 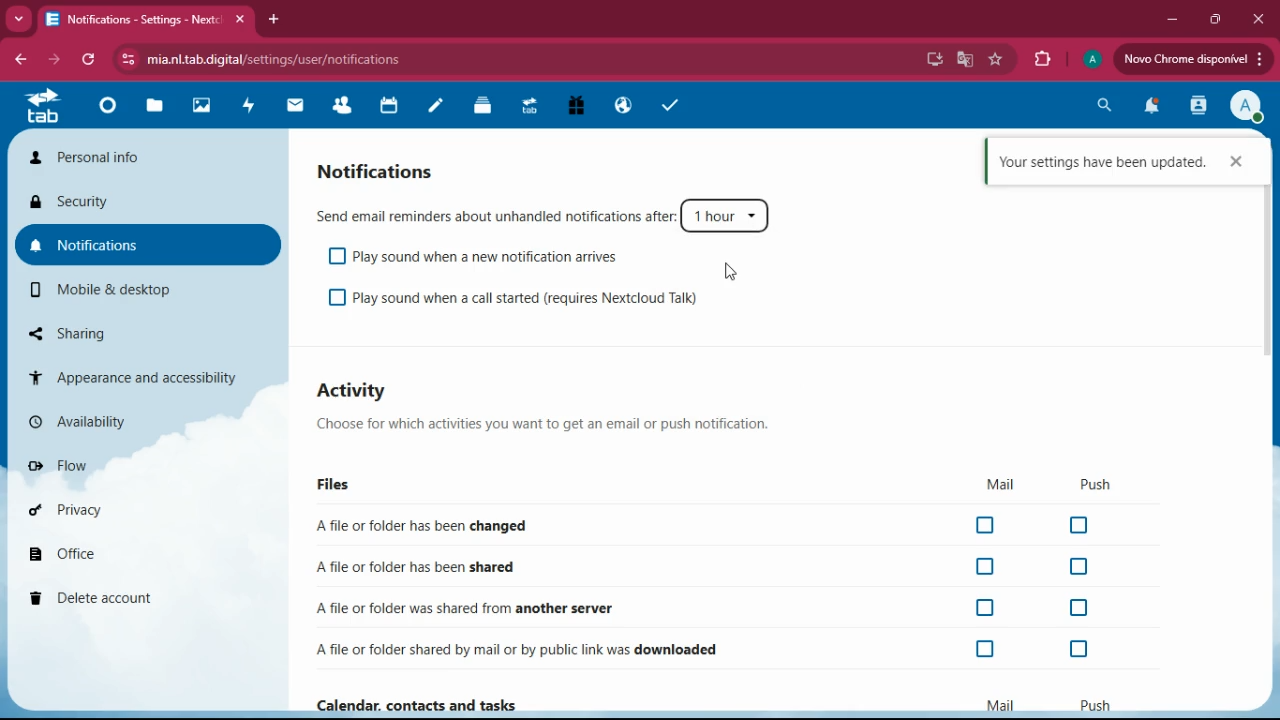 What do you see at coordinates (734, 272) in the screenshot?
I see `cursor` at bounding box center [734, 272].